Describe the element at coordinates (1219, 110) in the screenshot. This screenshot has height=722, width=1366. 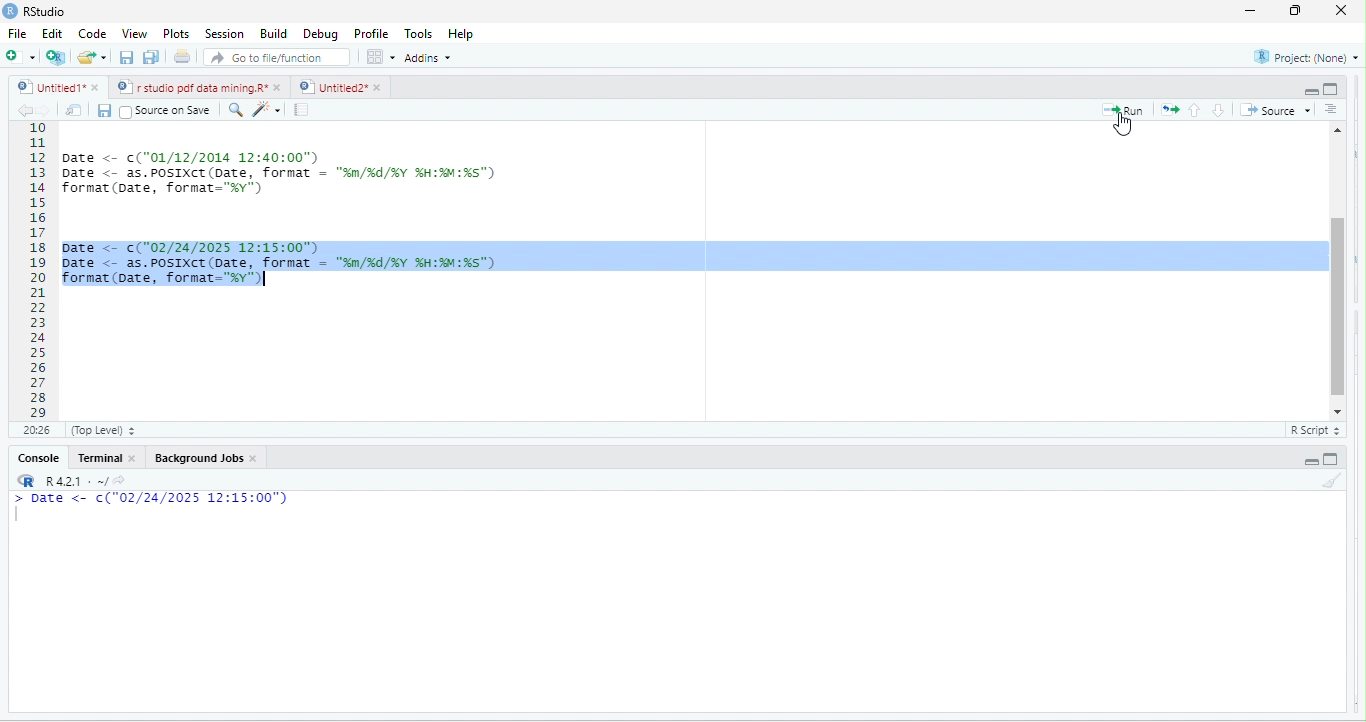
I see `go to next section/chunk` at that location.